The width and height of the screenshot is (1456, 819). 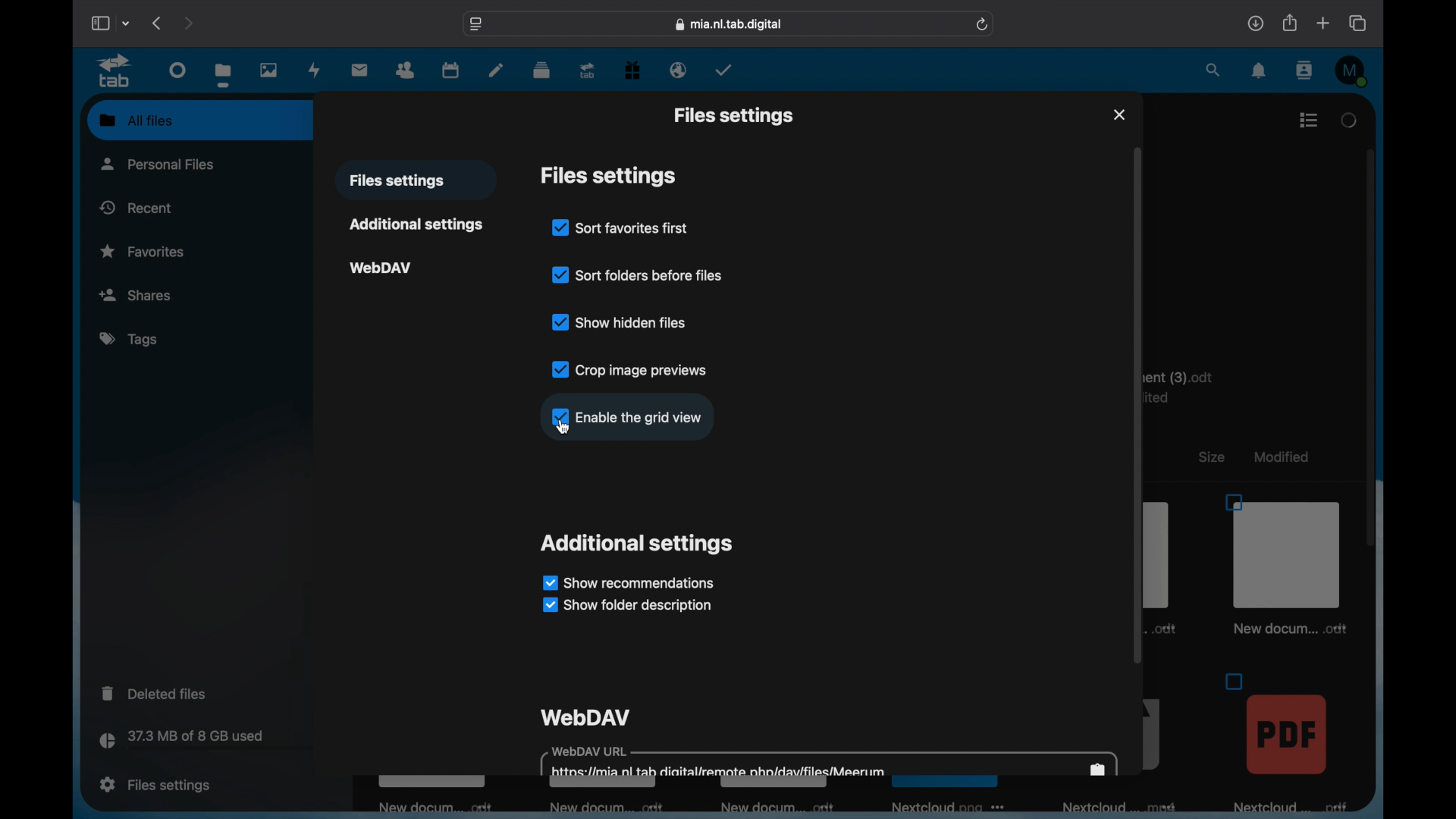 What do you see at coordinates (269, 71) in the screenshot?
I see `photos` at bounding box center [269, 71].